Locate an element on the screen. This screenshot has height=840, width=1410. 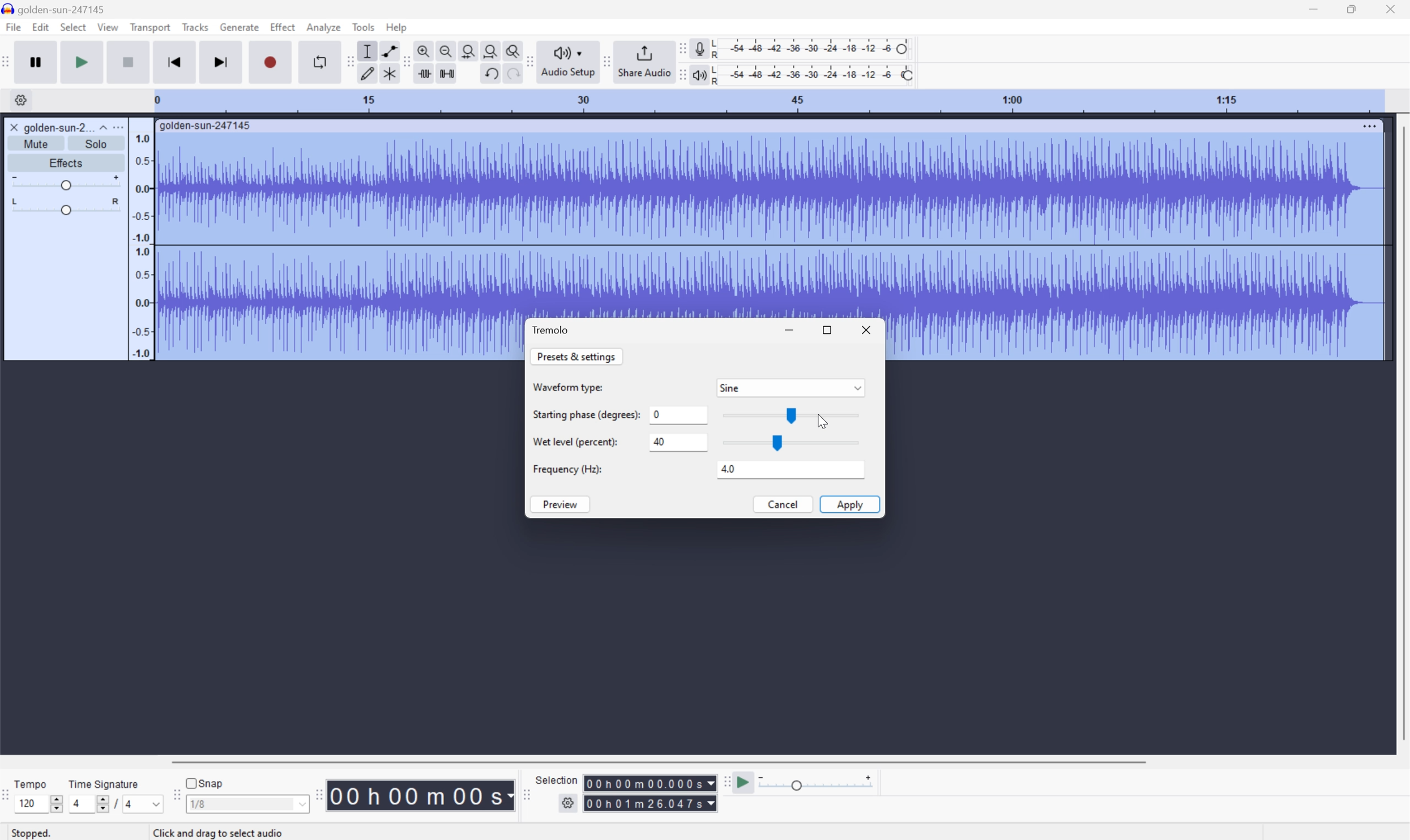
golden-sun is located at coordinates (47, 127).